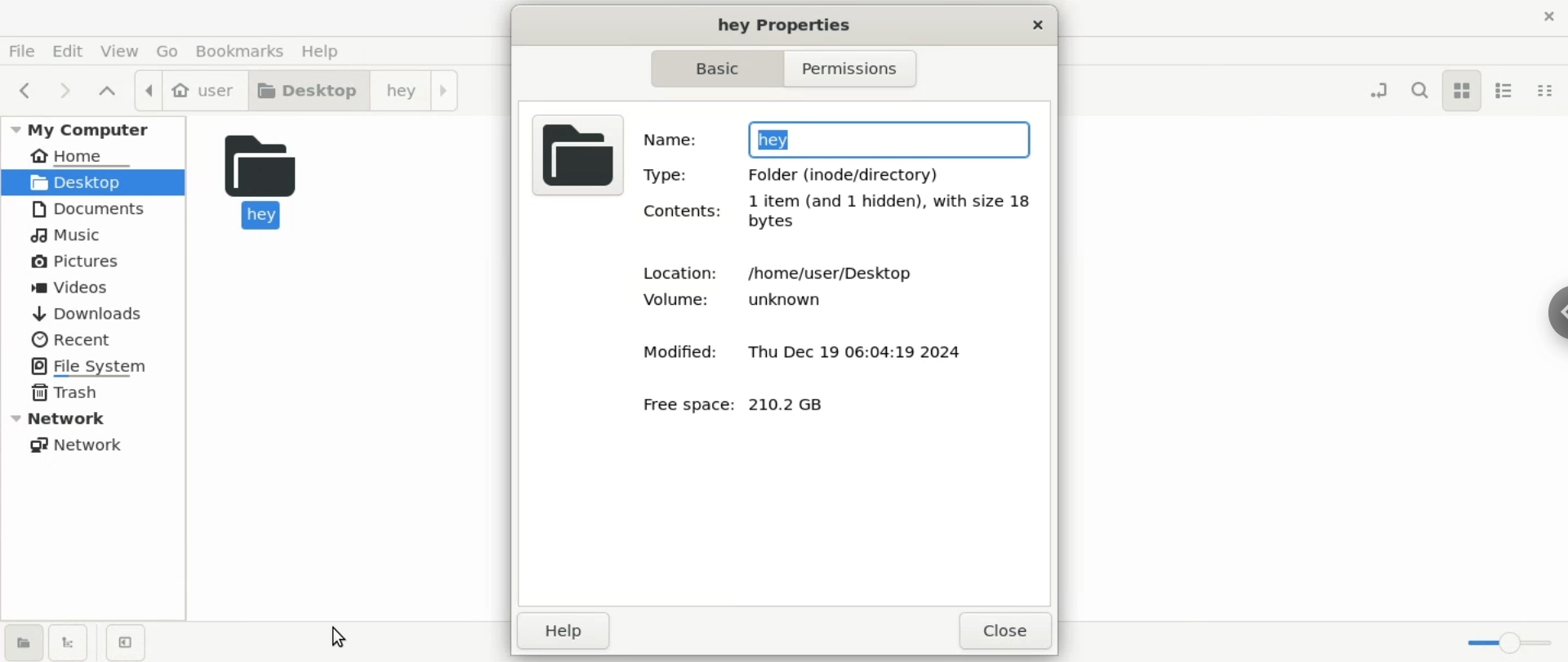 The image size is (1568, 662). I want to click on folder (inode/directory), so click(849, 173).